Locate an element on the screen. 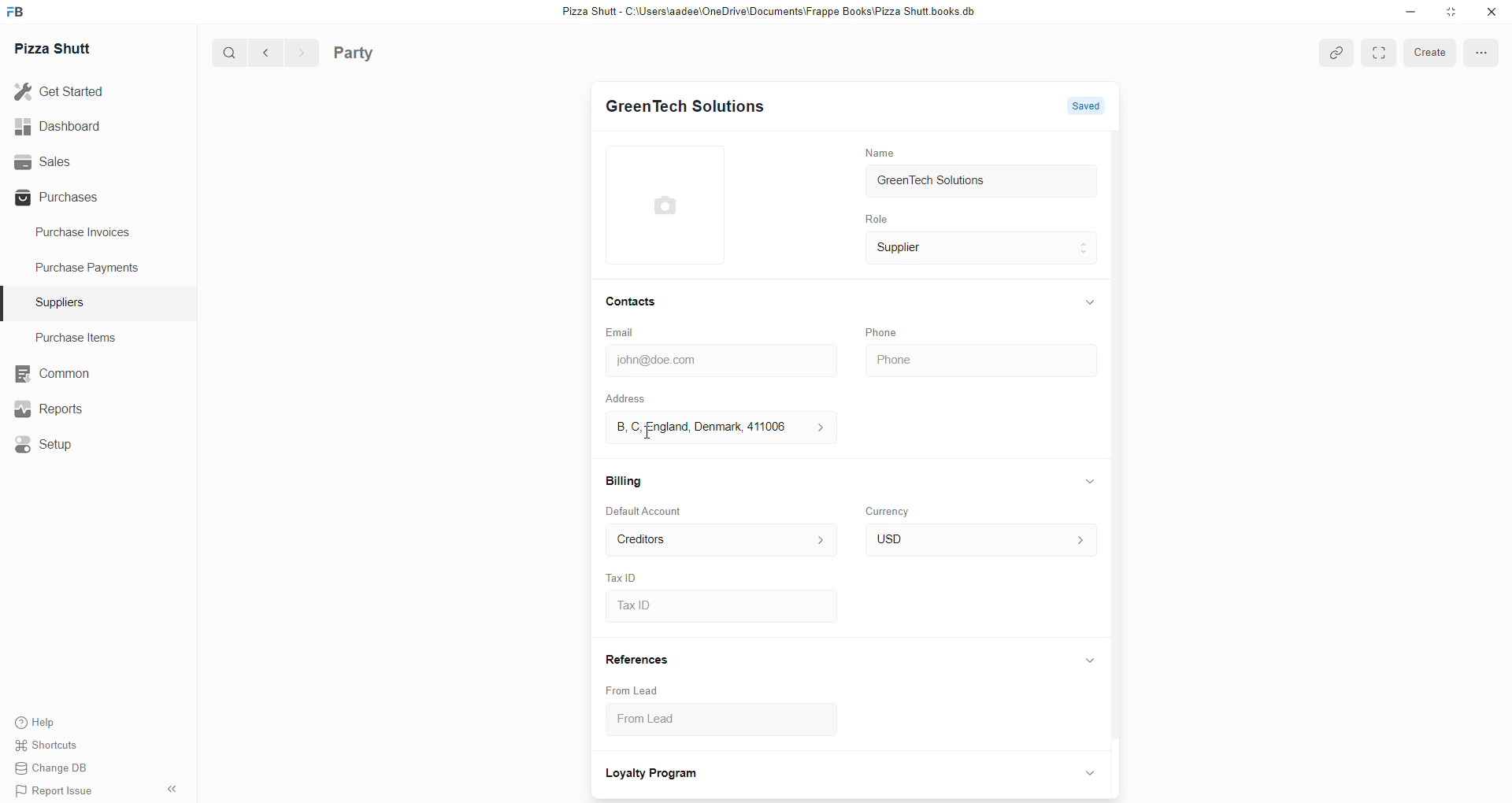 Image resolution: width=1512 pixels, height=803 pixels. Setup is located at coordinates (46, 442).